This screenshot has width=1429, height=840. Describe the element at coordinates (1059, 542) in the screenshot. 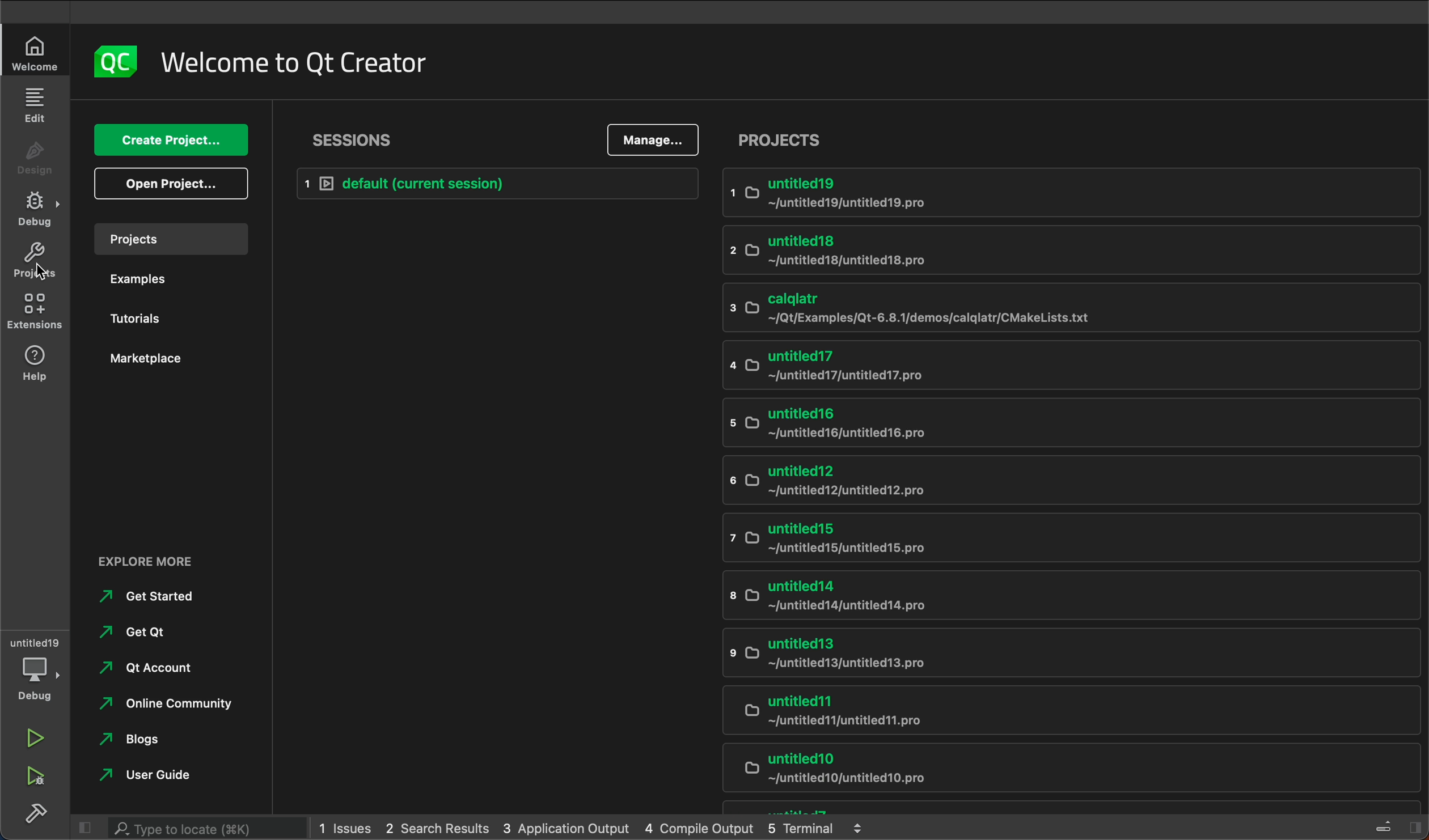

I see `untitled15` at that location.